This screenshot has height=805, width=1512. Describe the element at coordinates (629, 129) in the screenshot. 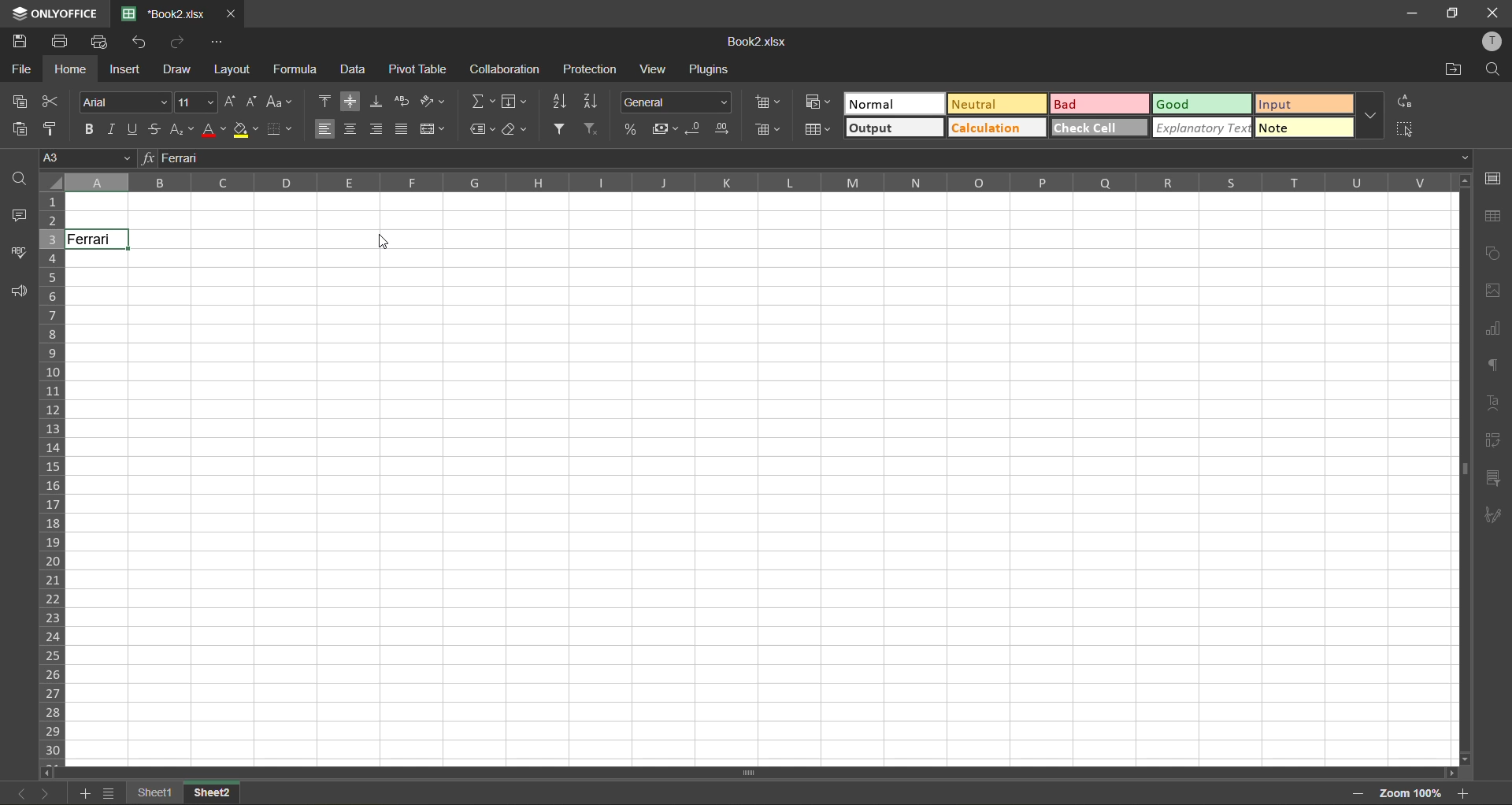

I see `percent` at that location.